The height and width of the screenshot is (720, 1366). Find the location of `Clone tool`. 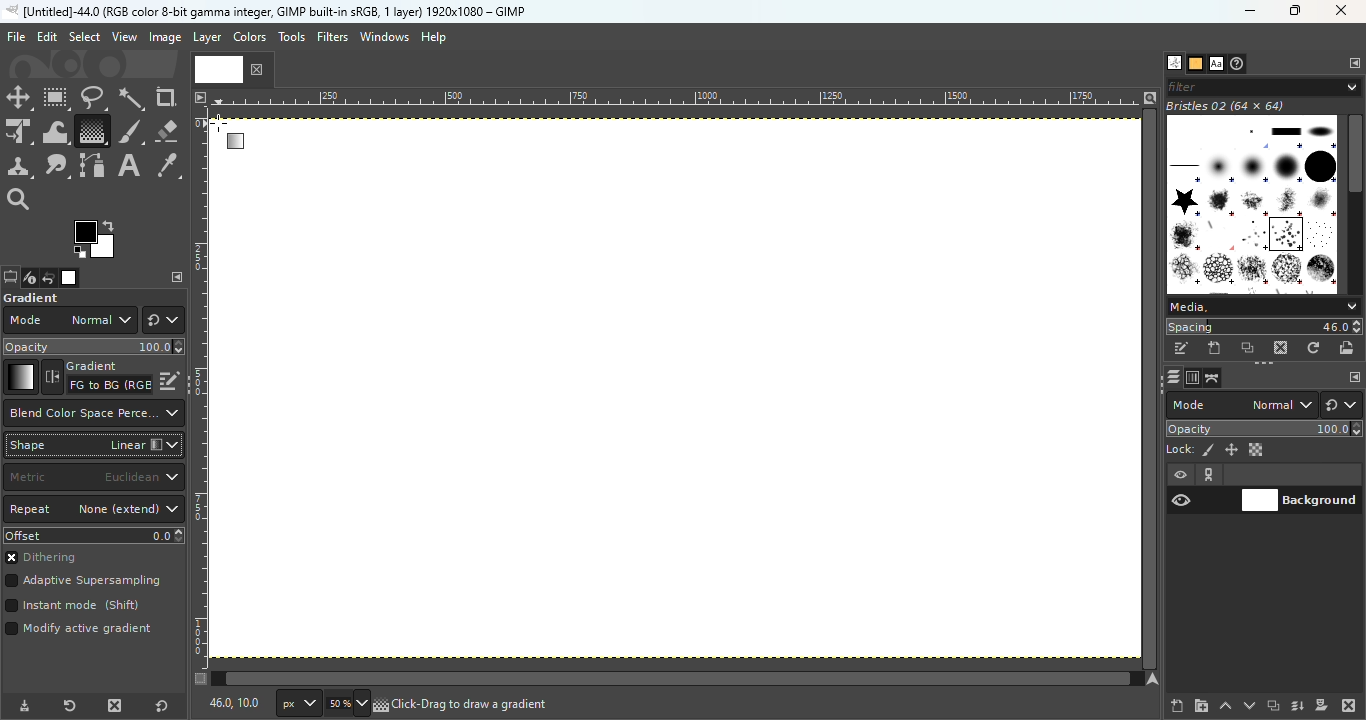

Clone tool is located at coordinates (19, 167).